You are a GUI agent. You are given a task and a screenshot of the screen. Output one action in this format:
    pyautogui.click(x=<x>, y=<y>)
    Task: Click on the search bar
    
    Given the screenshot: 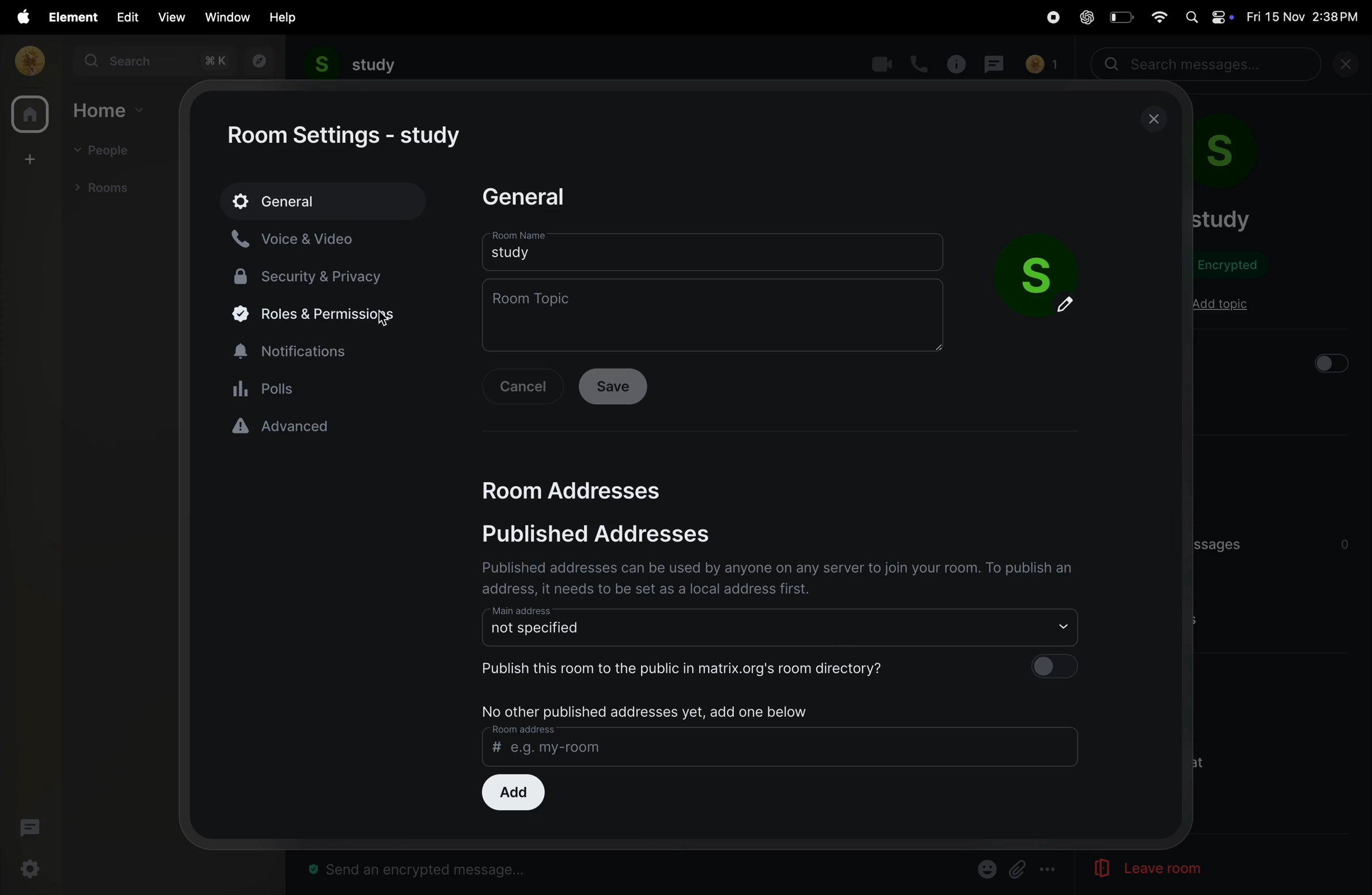 What is the action you would take?
    pyautogui.click(x=1208, y=65)
    